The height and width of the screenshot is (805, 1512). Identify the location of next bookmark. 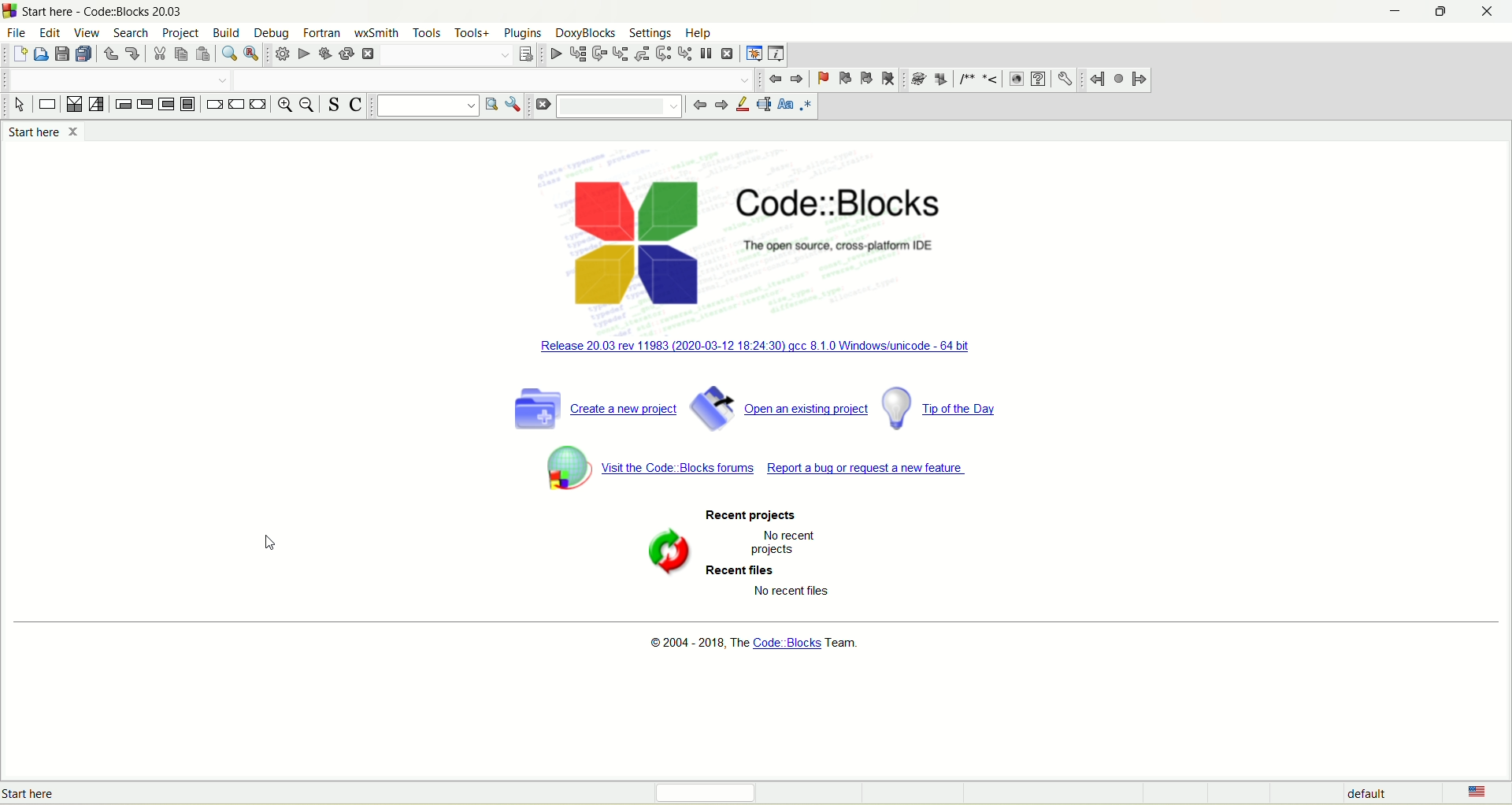
(867, 78).